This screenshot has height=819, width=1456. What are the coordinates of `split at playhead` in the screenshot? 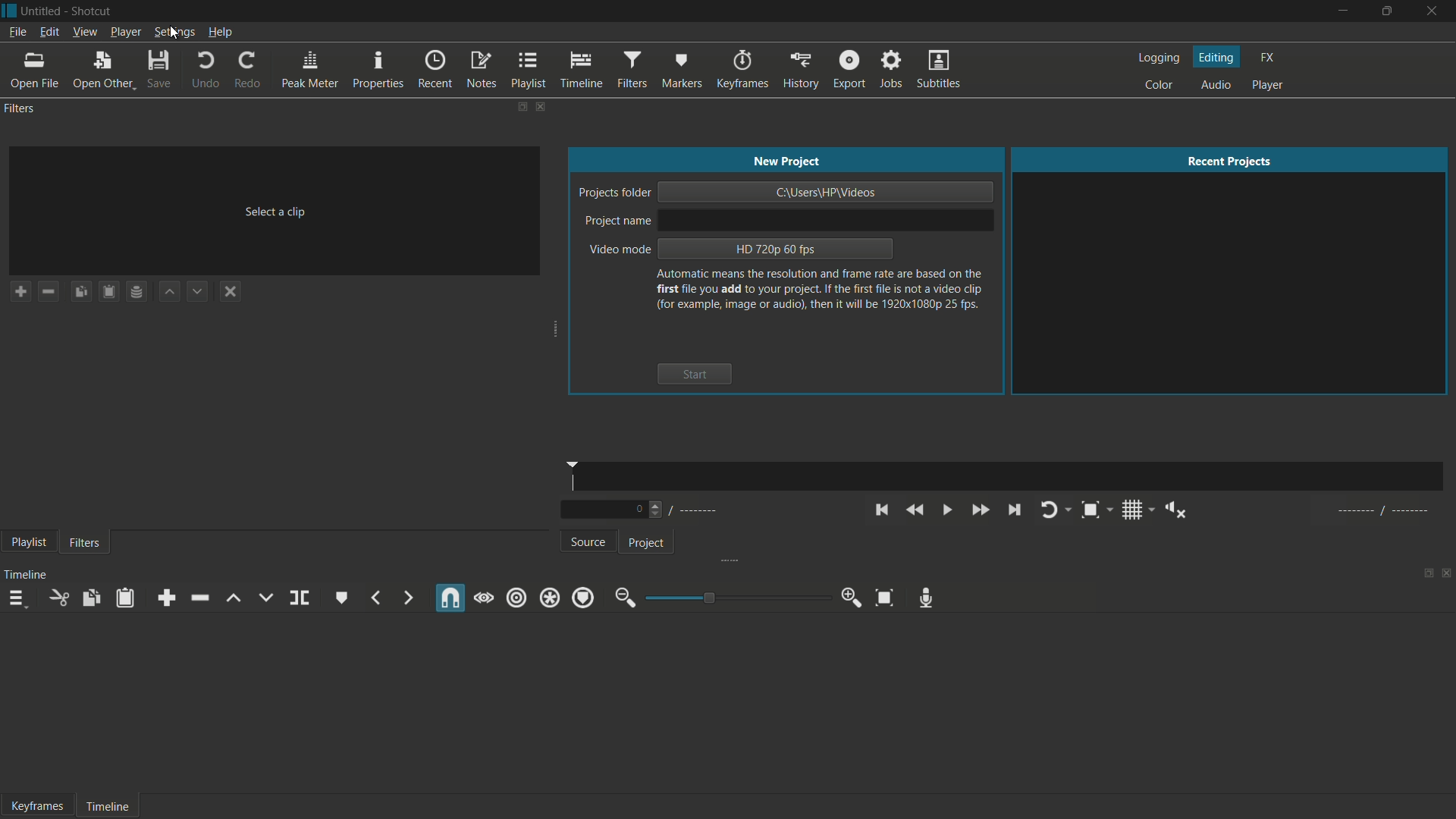 It's located at (301, 598).